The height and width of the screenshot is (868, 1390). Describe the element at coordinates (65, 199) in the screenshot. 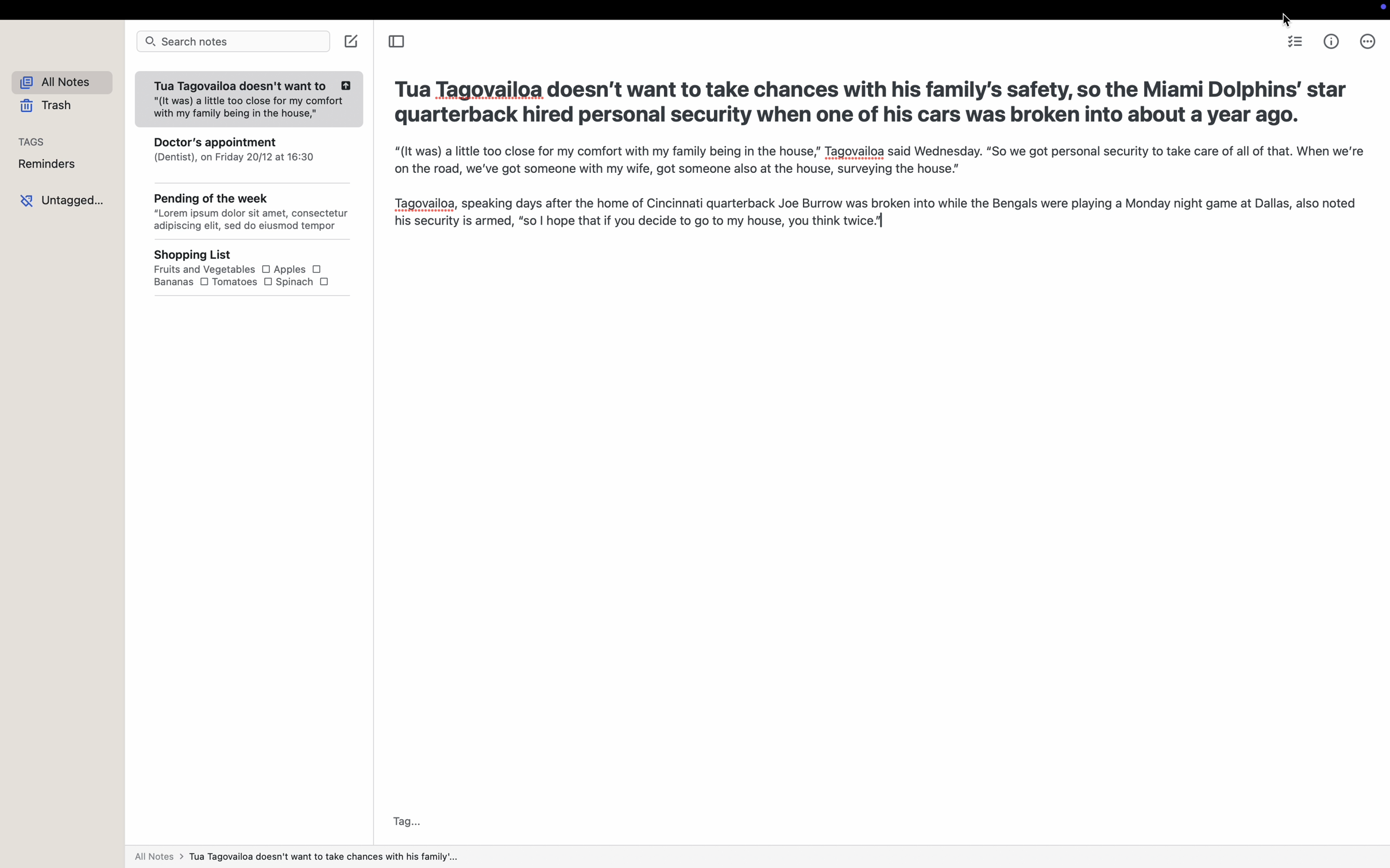

I see `untagged` at that location.